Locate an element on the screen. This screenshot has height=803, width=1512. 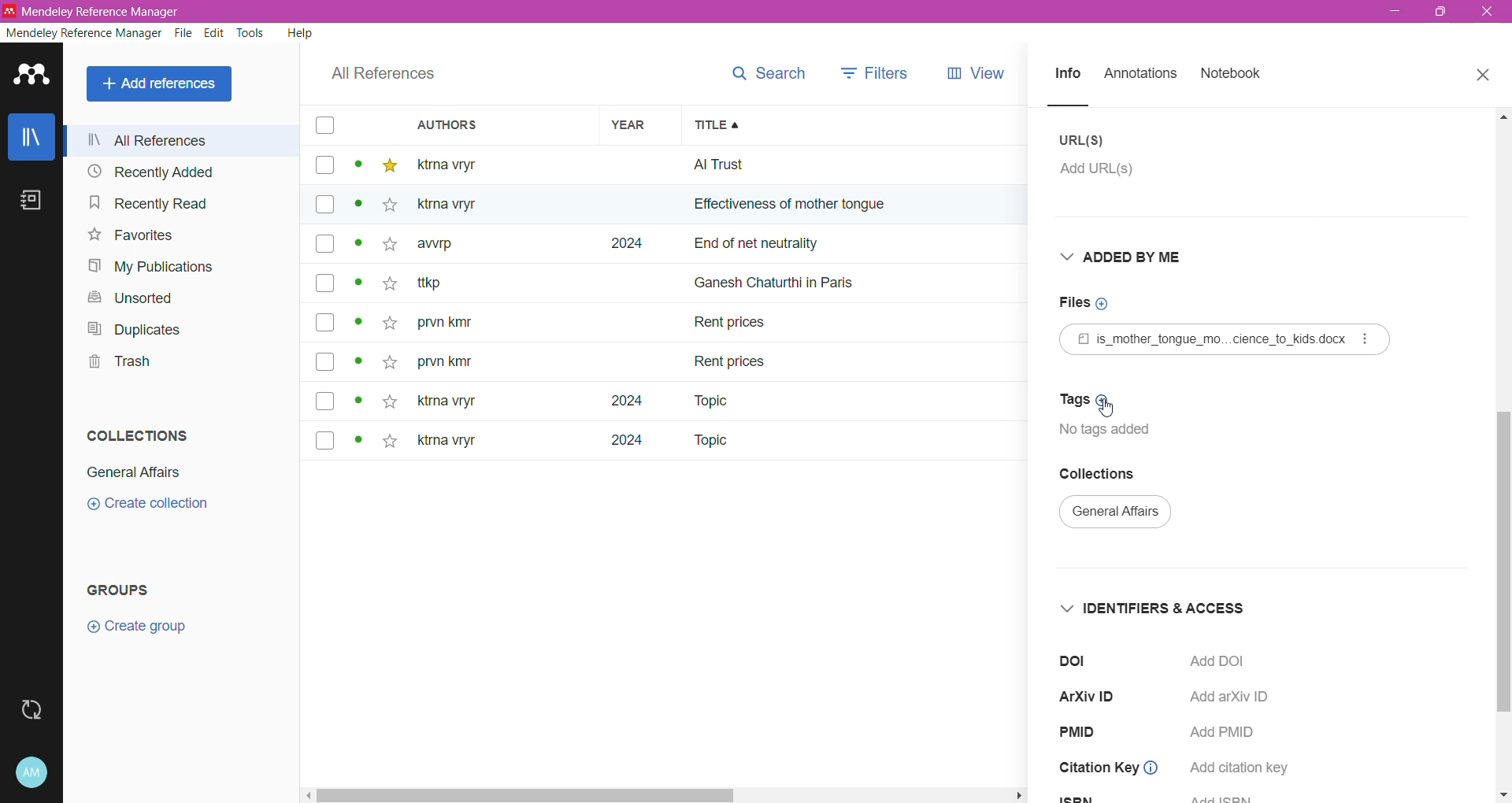
All References is located at coordinates (183, 140).